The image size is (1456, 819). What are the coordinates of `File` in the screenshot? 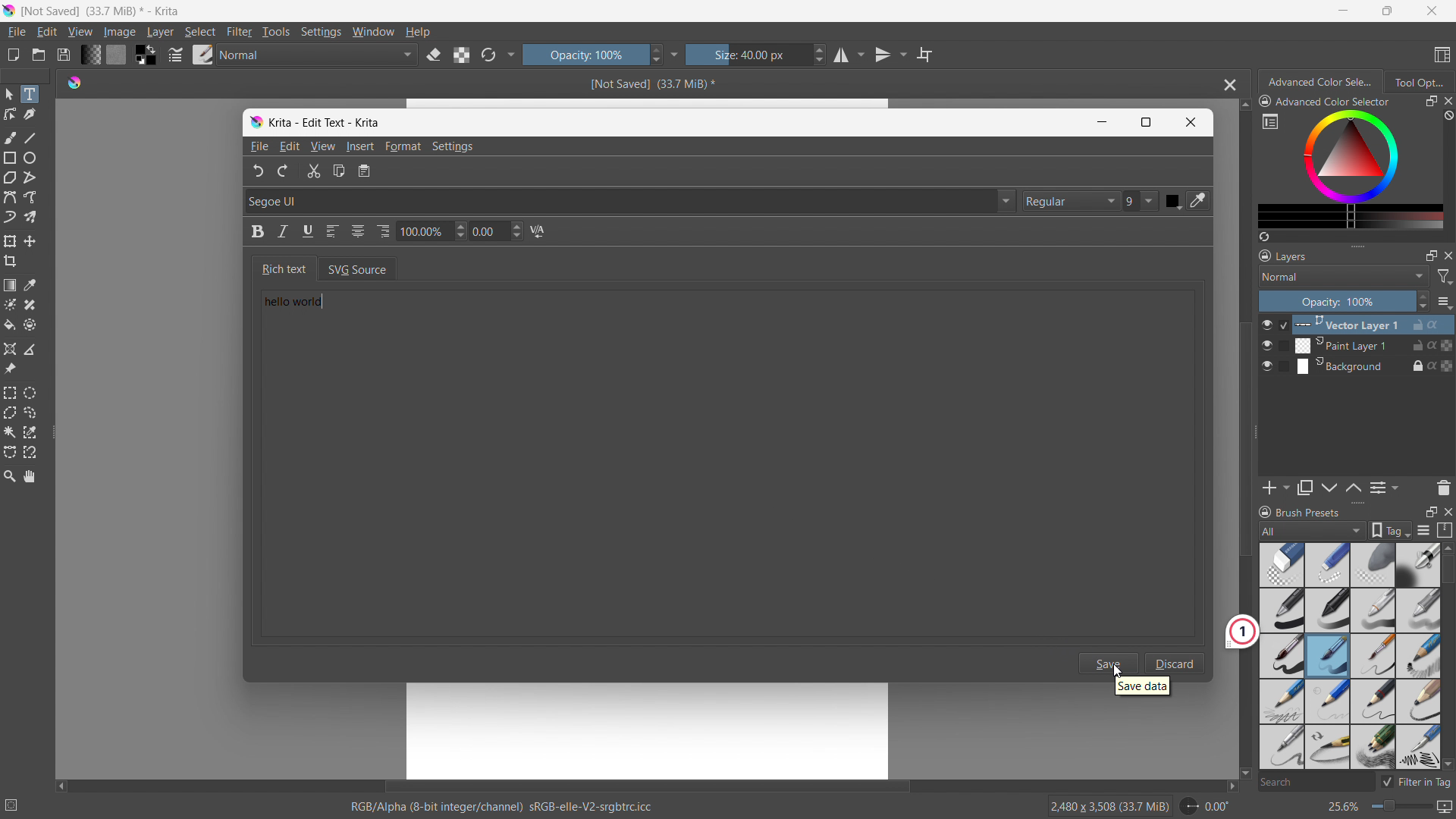 It's located at (258, 147).